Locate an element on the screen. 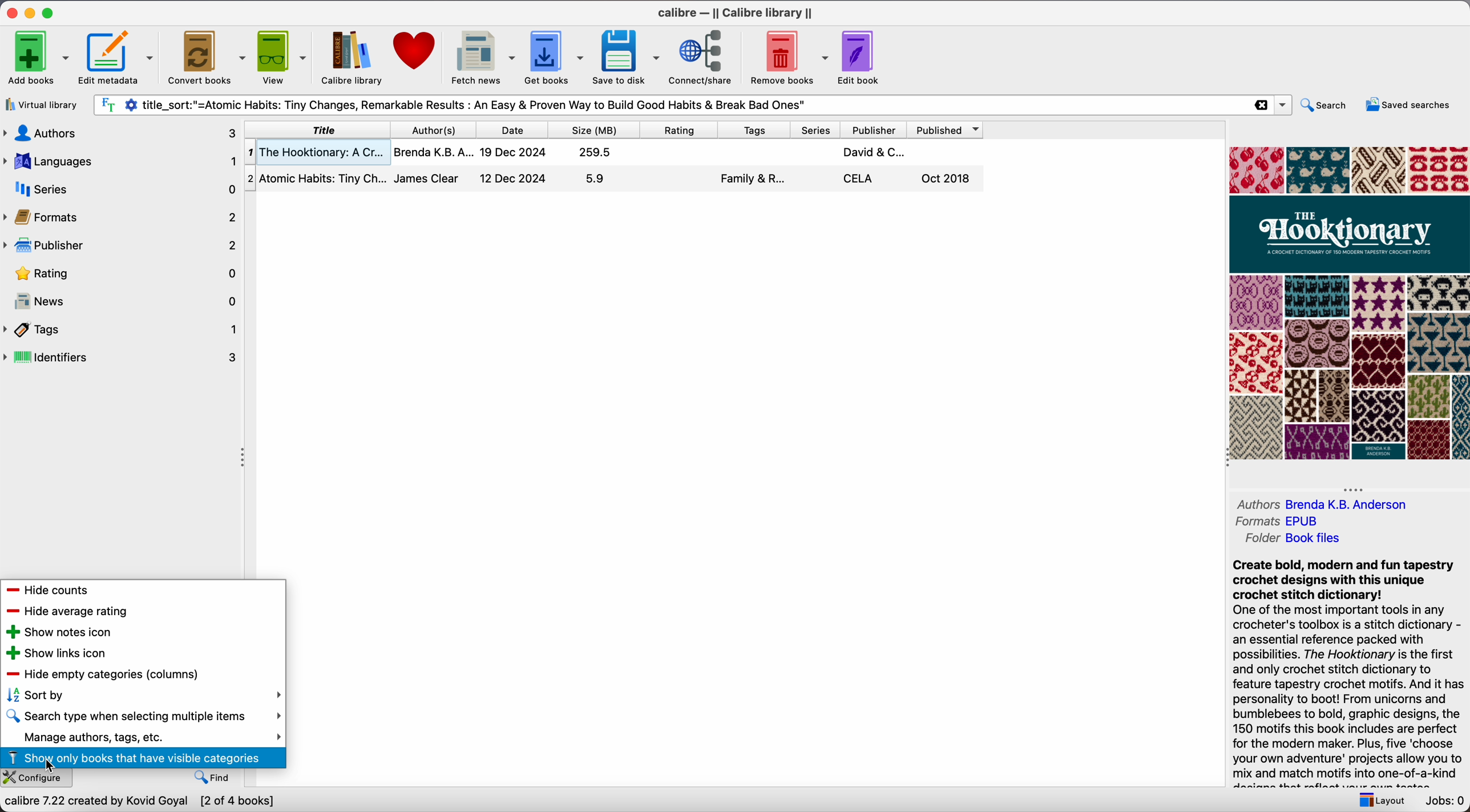  size is located at coordinates (597, 128).